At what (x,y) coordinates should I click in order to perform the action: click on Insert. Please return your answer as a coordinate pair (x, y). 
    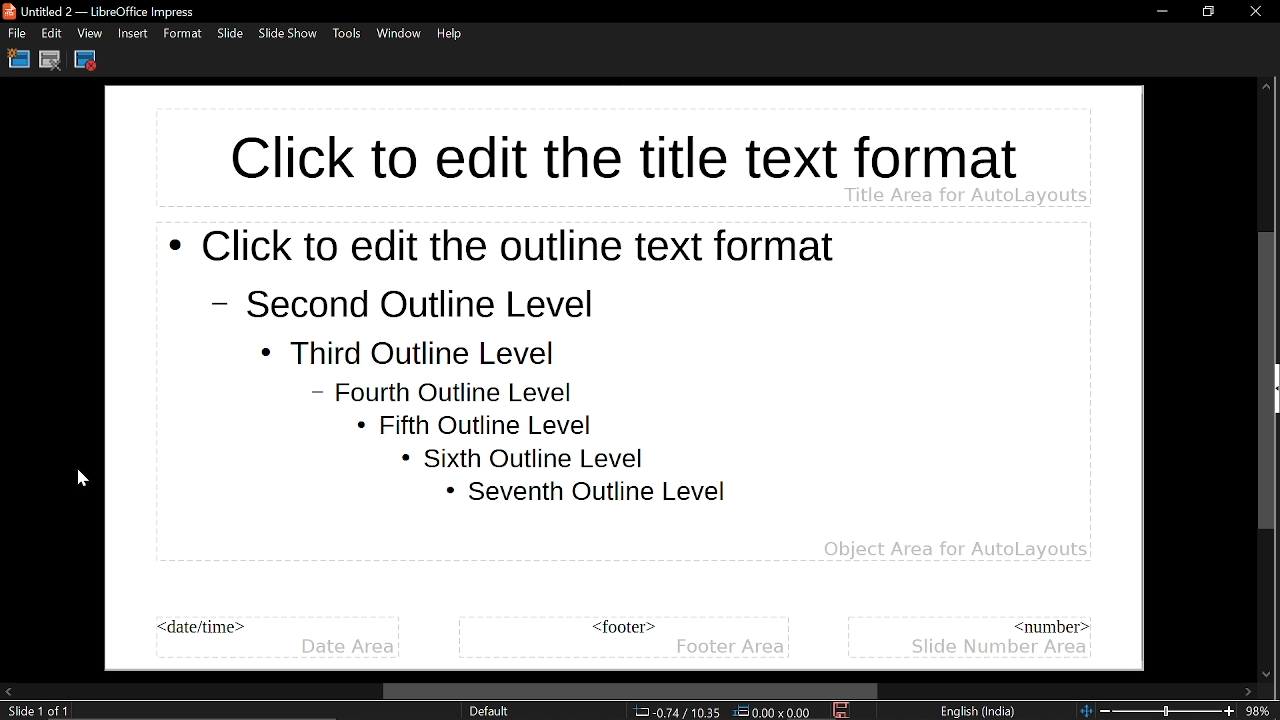
    Looking at the image, I should click on (131, 34).